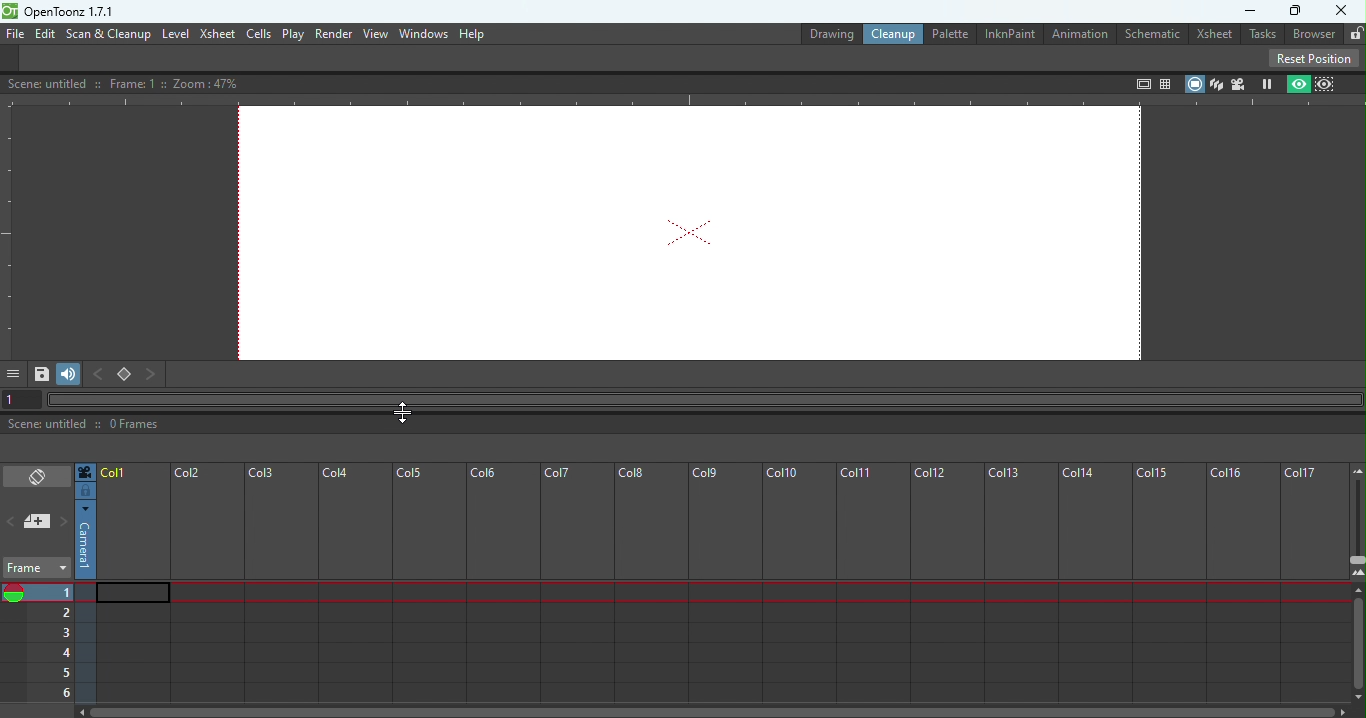 The width and height of the screenshot is (1366, 718). I want to click on Drawing, so click(820, 32).